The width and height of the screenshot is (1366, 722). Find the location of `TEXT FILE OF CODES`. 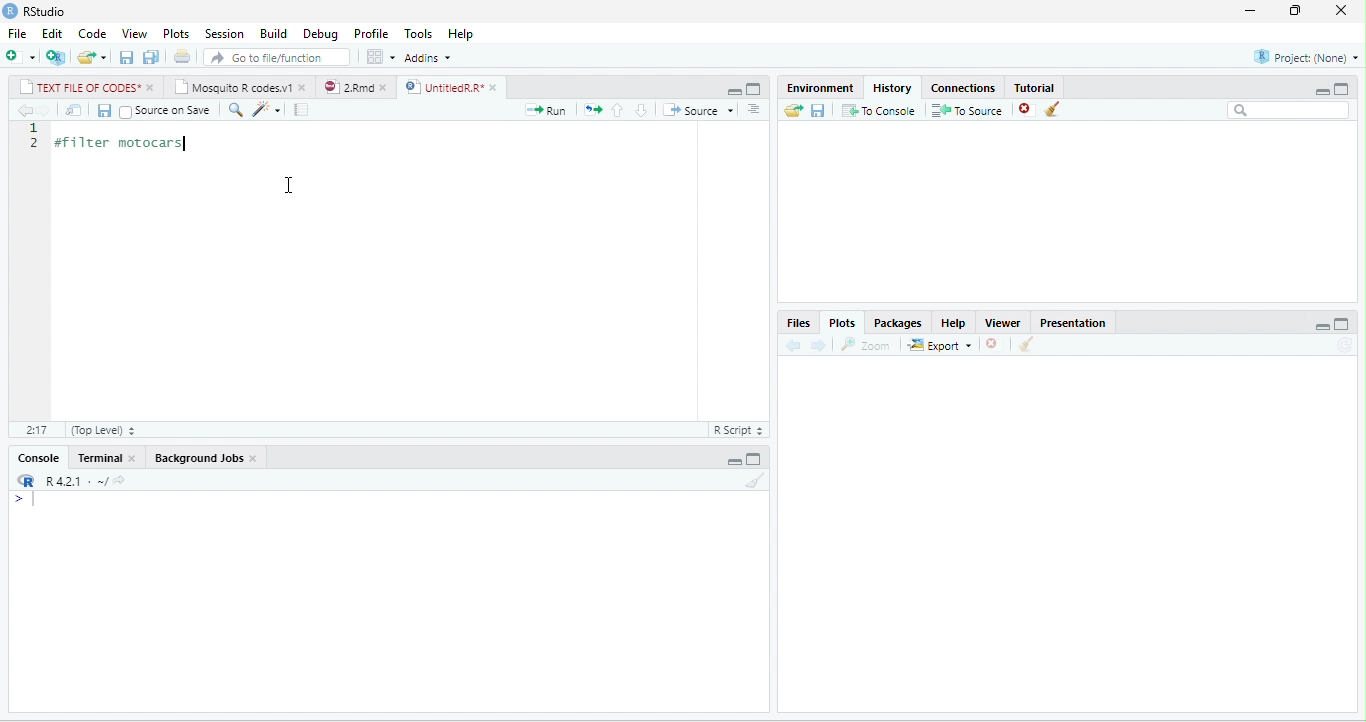

TEXT FILE OF CODES is located at coordinates (80, 86).